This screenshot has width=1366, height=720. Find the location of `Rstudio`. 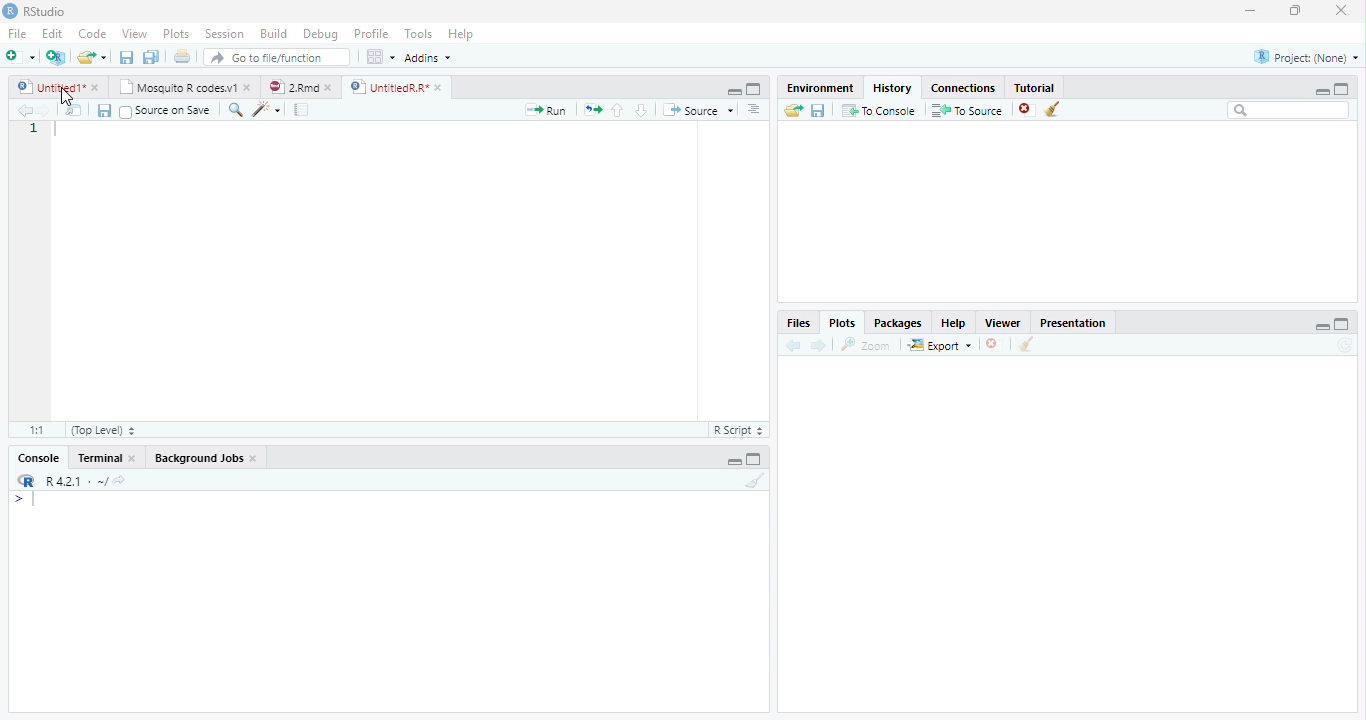

Rstudio is located at coordinates (36, 10).